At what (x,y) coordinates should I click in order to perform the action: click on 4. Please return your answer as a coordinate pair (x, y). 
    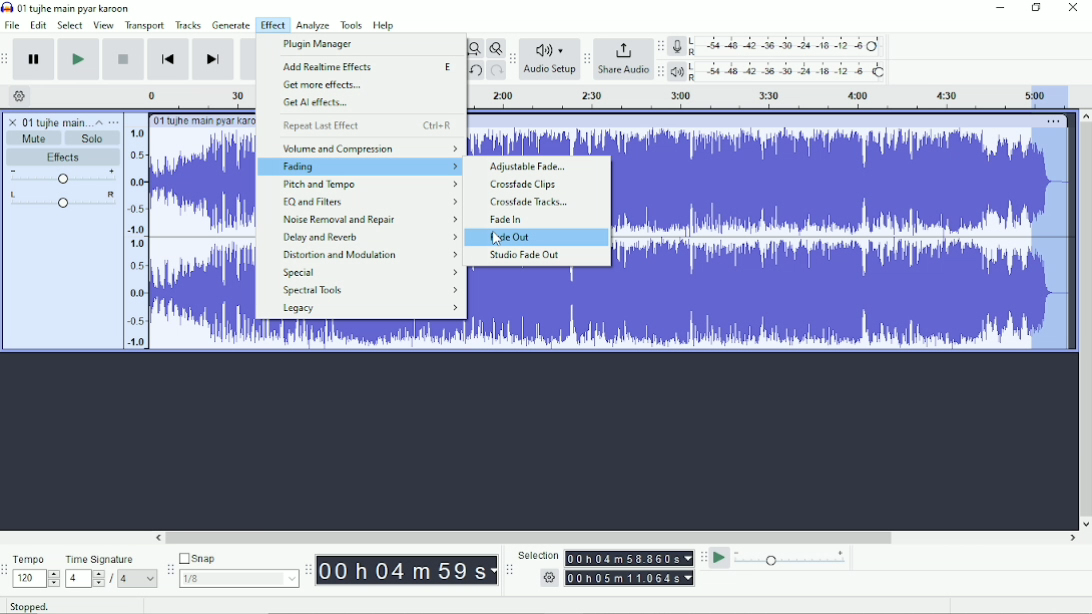
    Looking at the image, I should click on (140, 578).